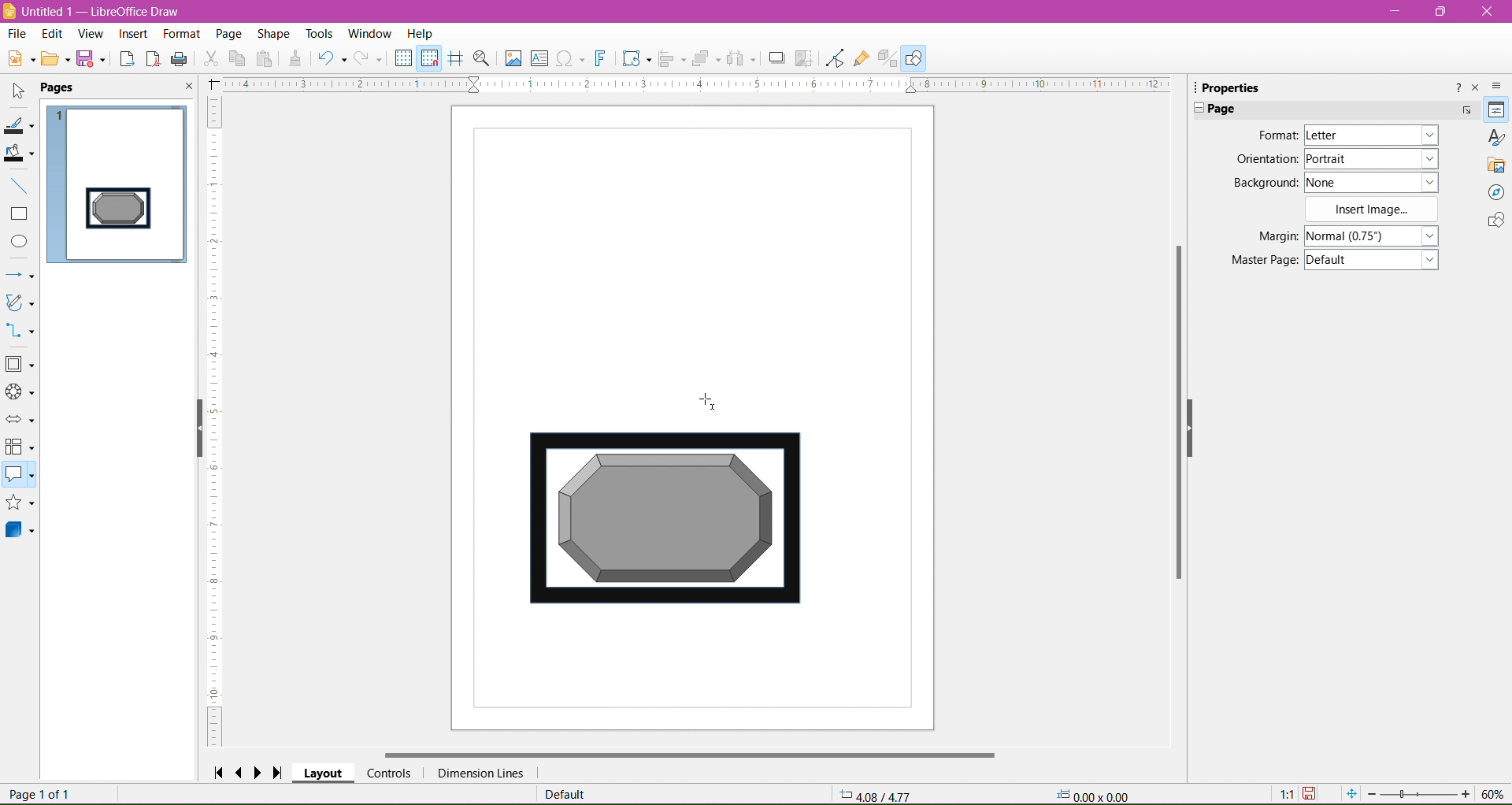  I want to click on Page, so click(227, 32).